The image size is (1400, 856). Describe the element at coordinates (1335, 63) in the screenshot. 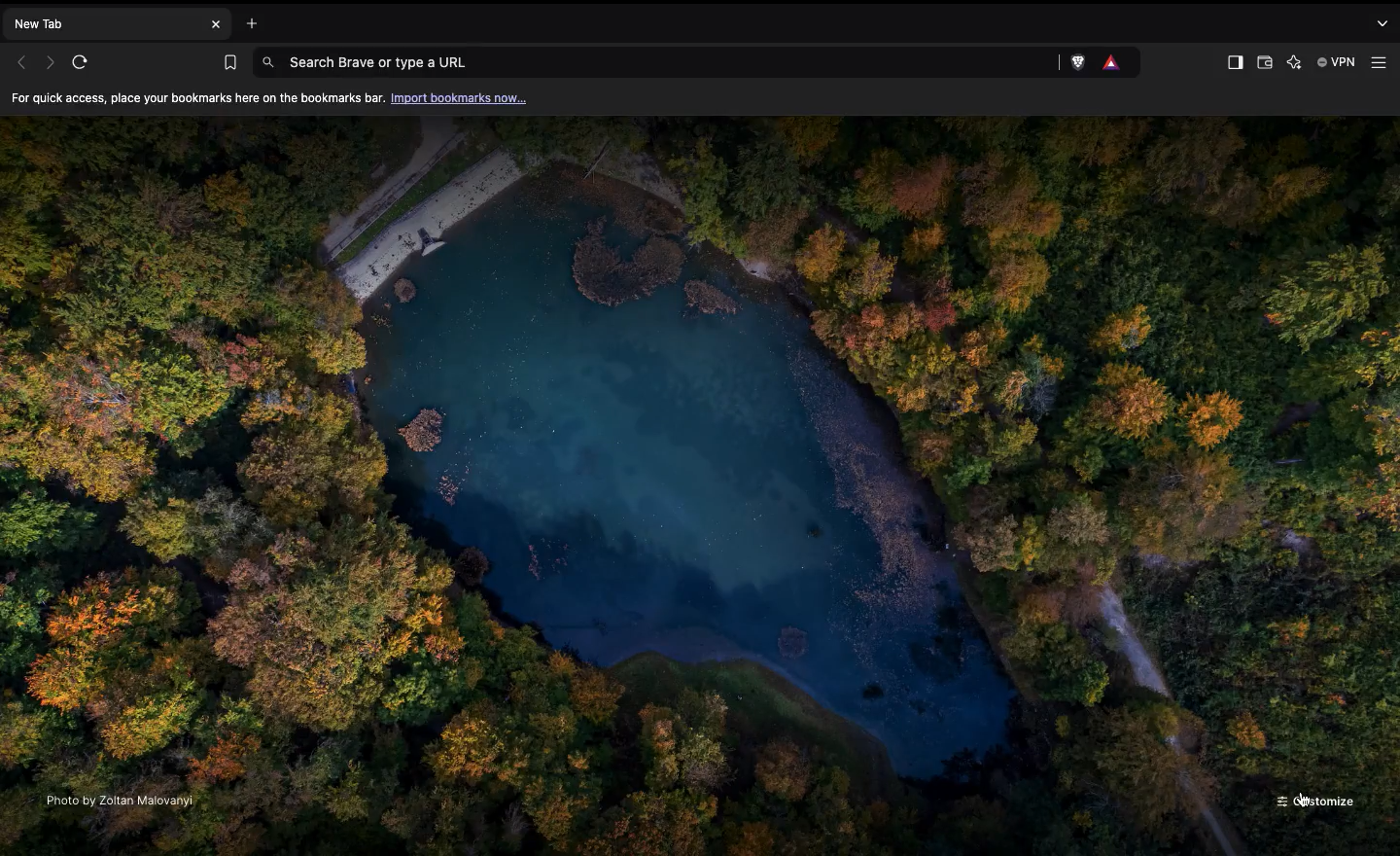

I see `Brave VPN` at that location.